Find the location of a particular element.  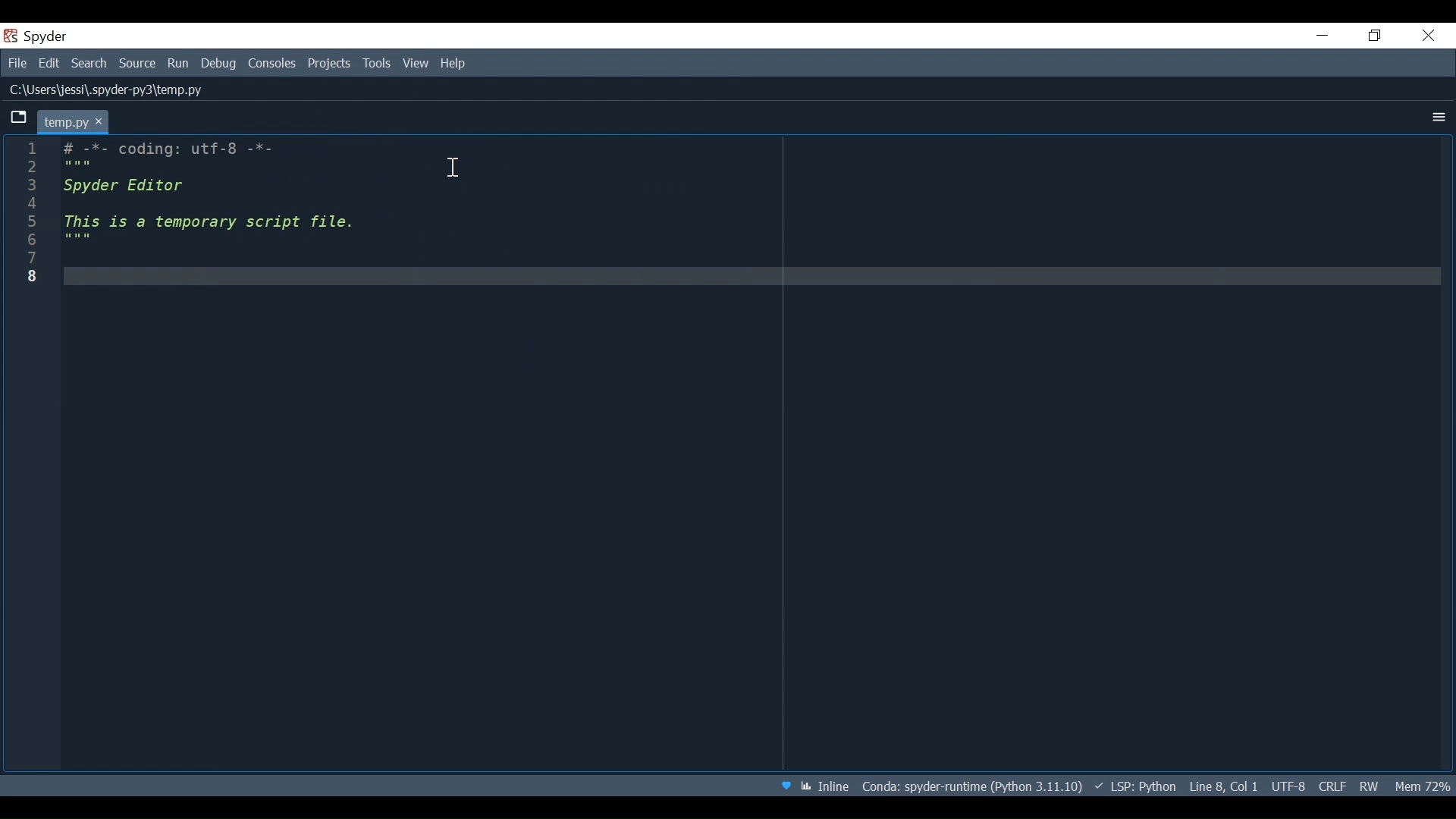

File Permissions is located at coordinates (1368, 786).